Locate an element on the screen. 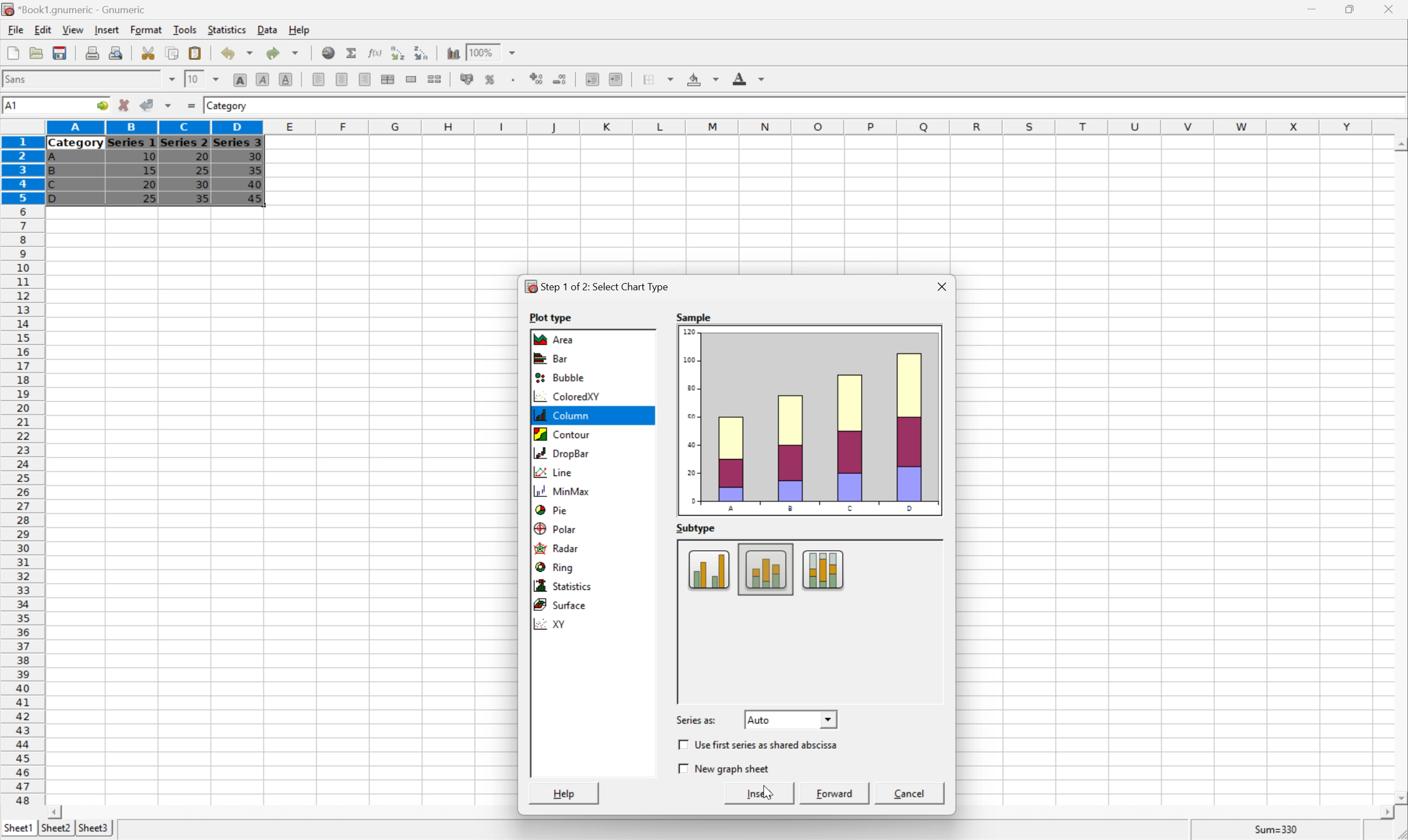  Edit is located at coordinates (43, 29).